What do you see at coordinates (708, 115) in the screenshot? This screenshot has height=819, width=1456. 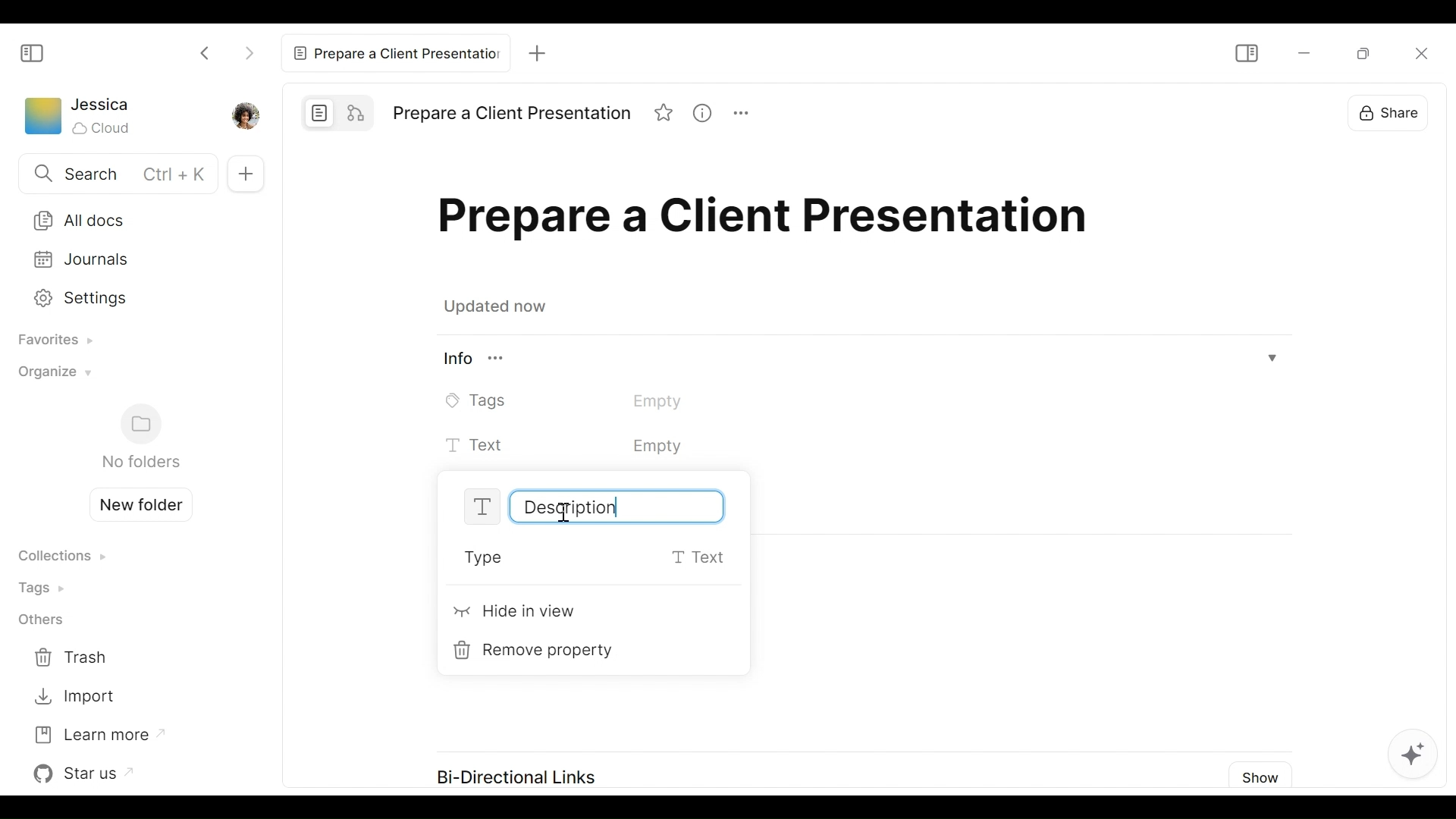 I see `View Information` at bounding box center [708, 115].